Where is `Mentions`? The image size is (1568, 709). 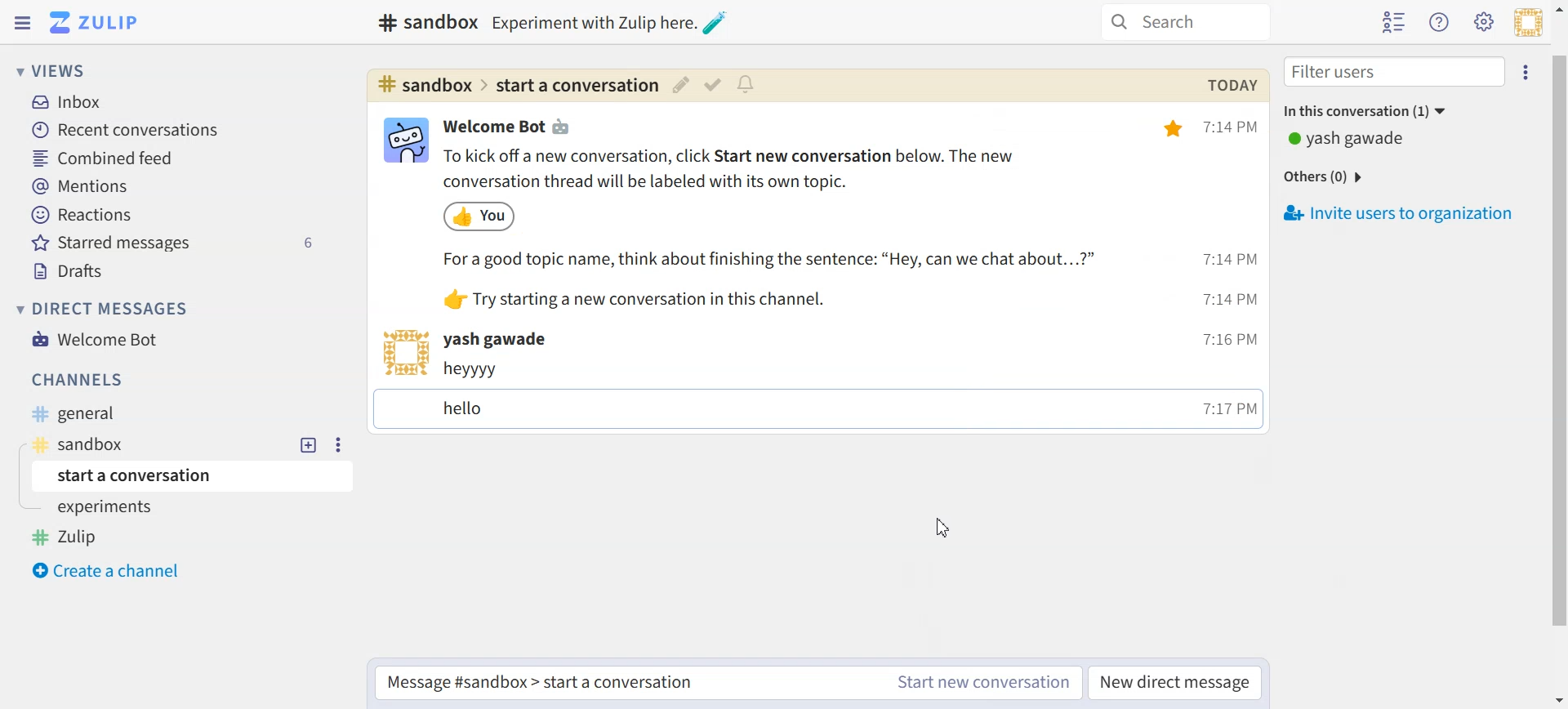
Mentions is located at coordinates (81, 186).